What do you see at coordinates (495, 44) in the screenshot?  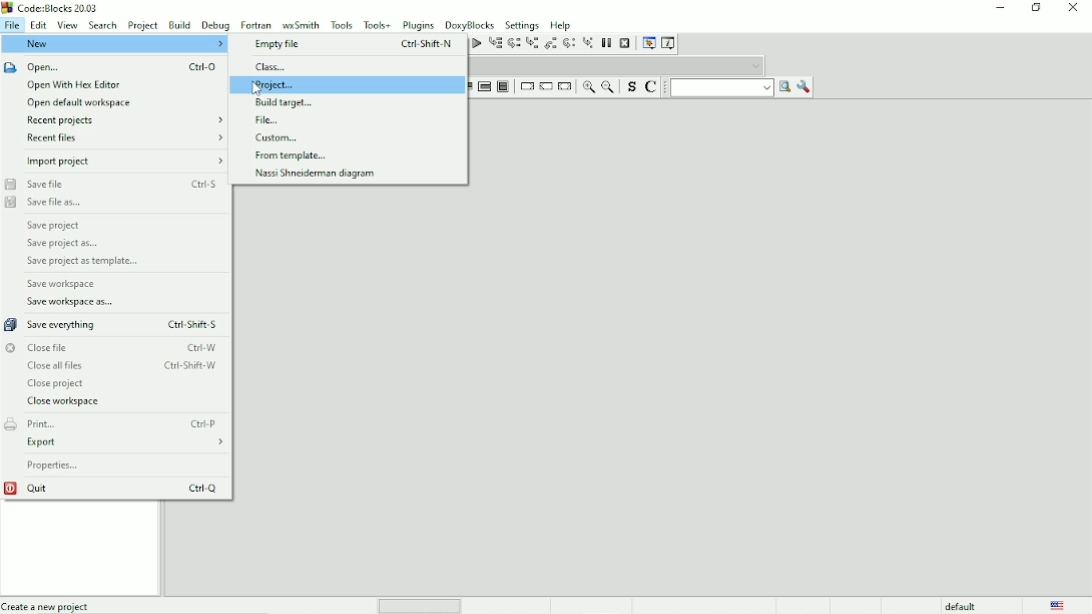 I see `Run to cursor` at bounding box center [495, 44].